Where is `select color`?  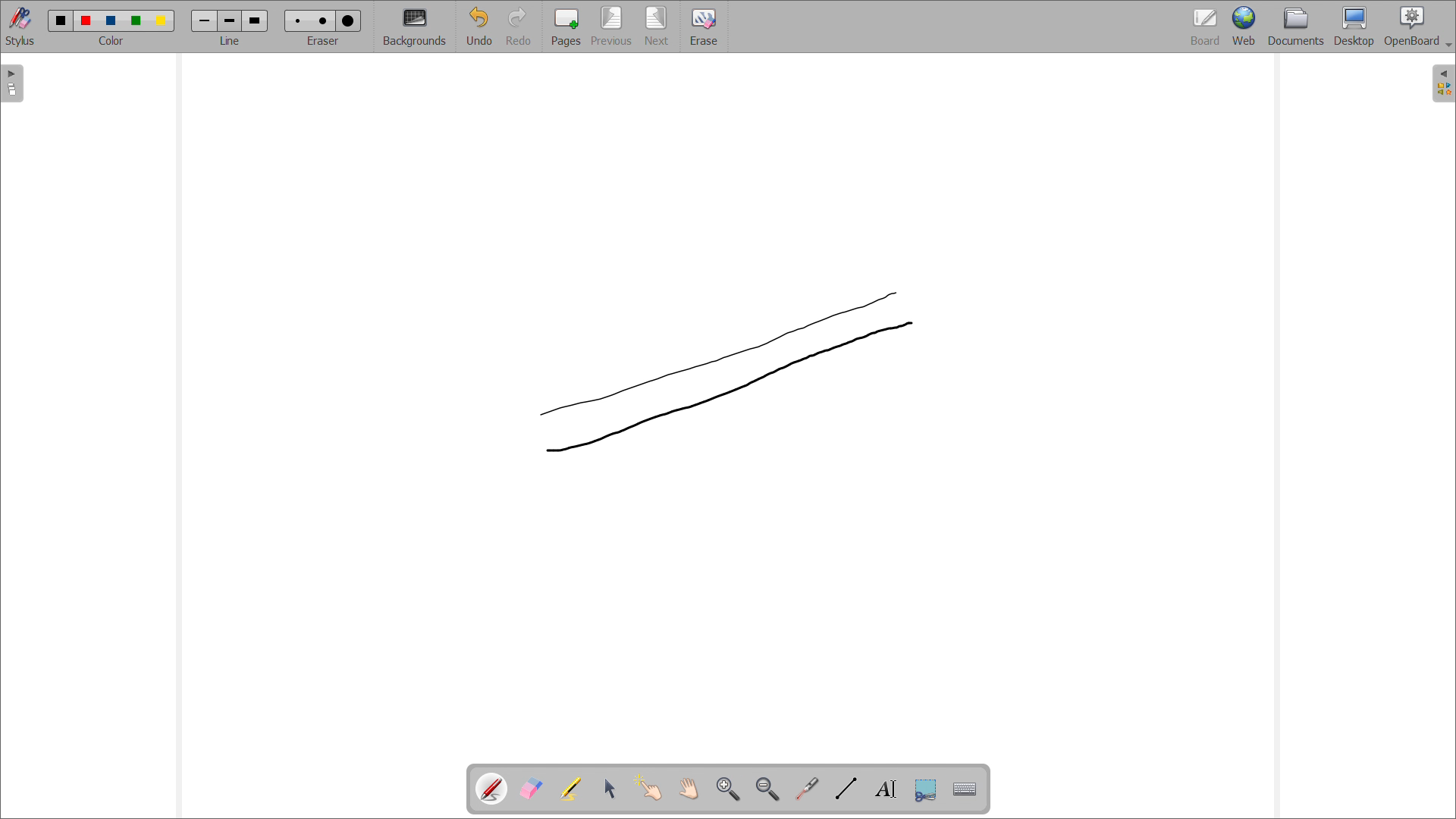 select color is located at coordinates (110, 41).